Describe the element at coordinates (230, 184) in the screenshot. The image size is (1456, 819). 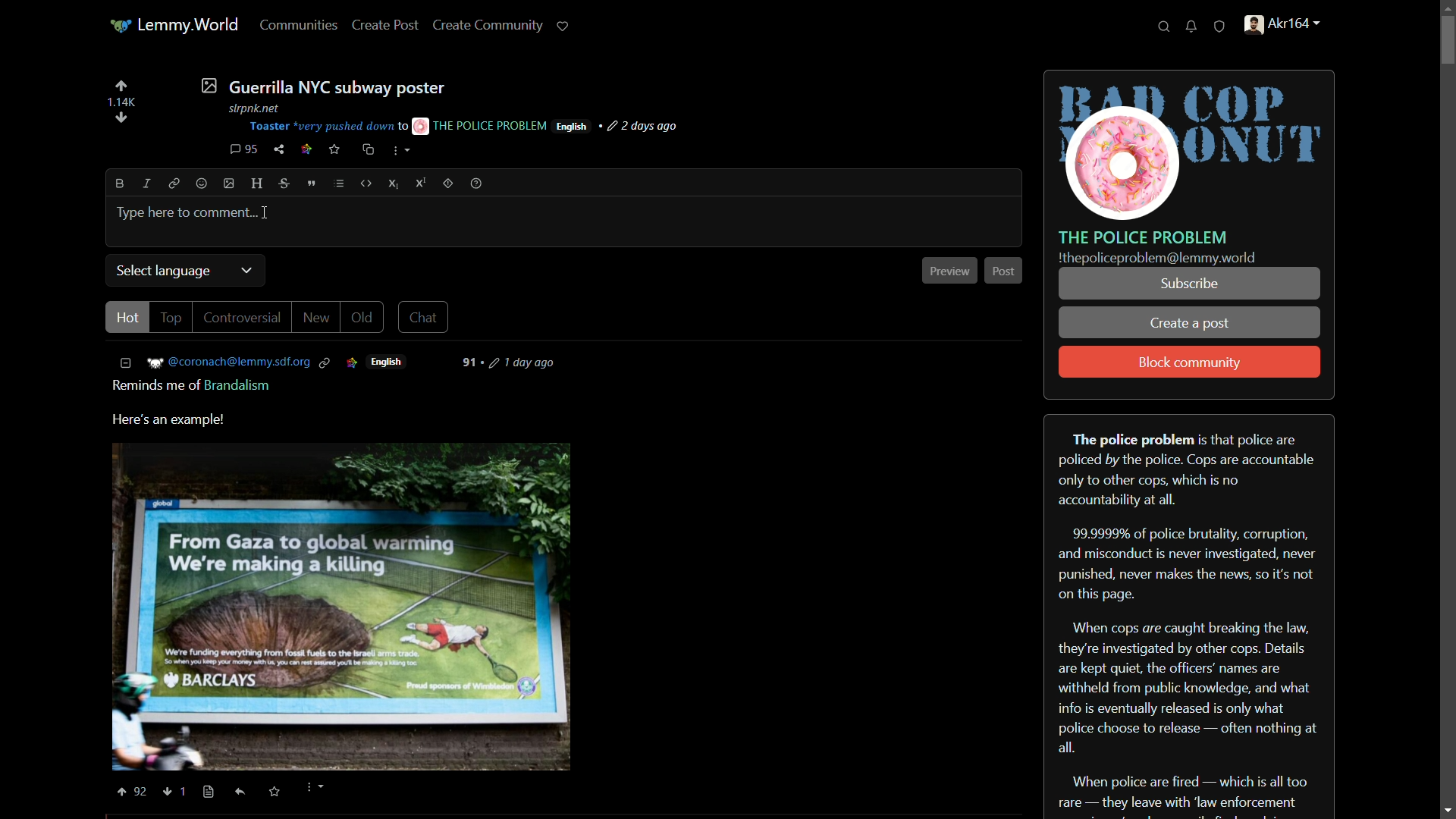
I see `image` at that location.